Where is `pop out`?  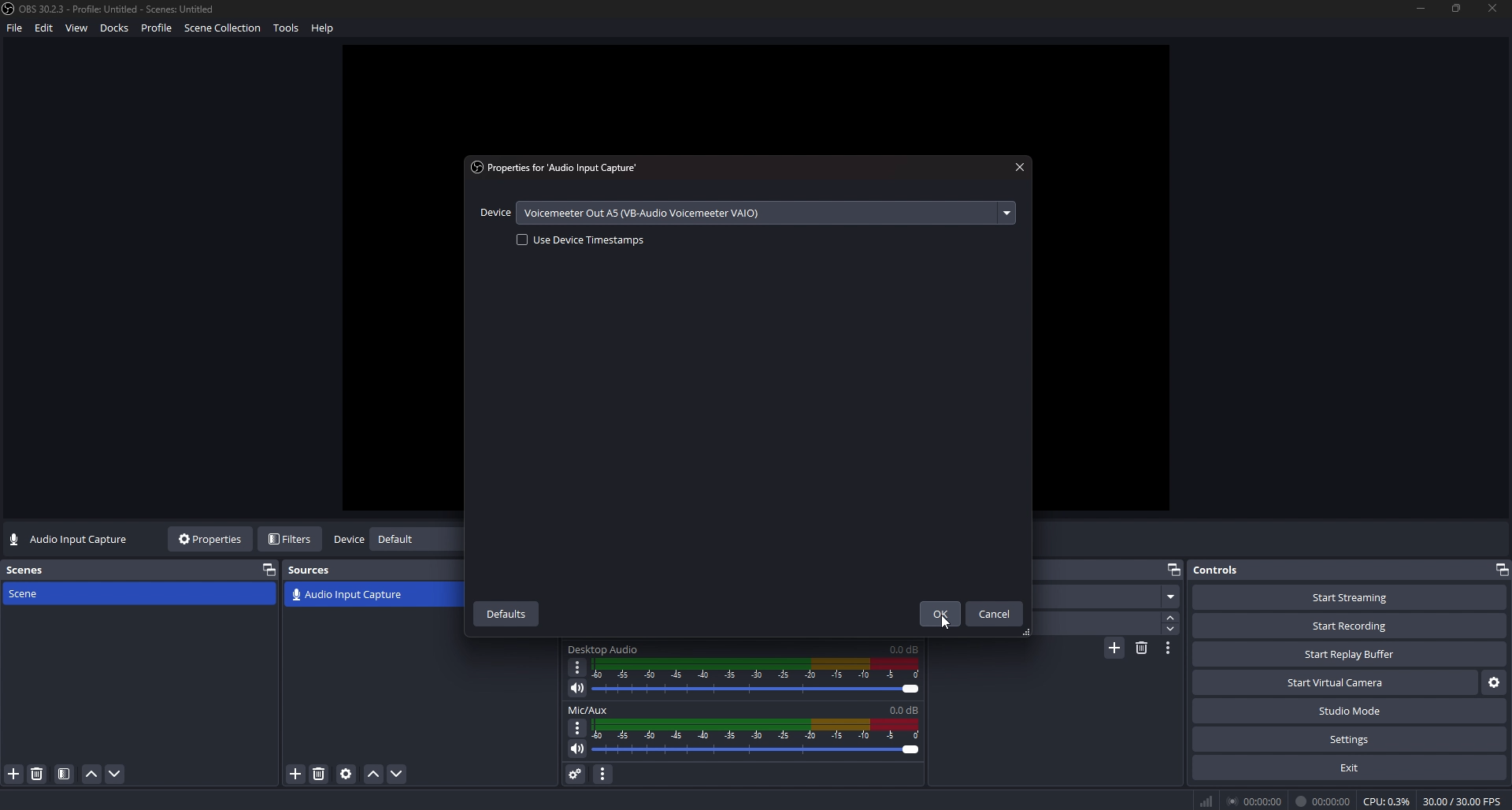 pop out is located at coordinates (414, 541).